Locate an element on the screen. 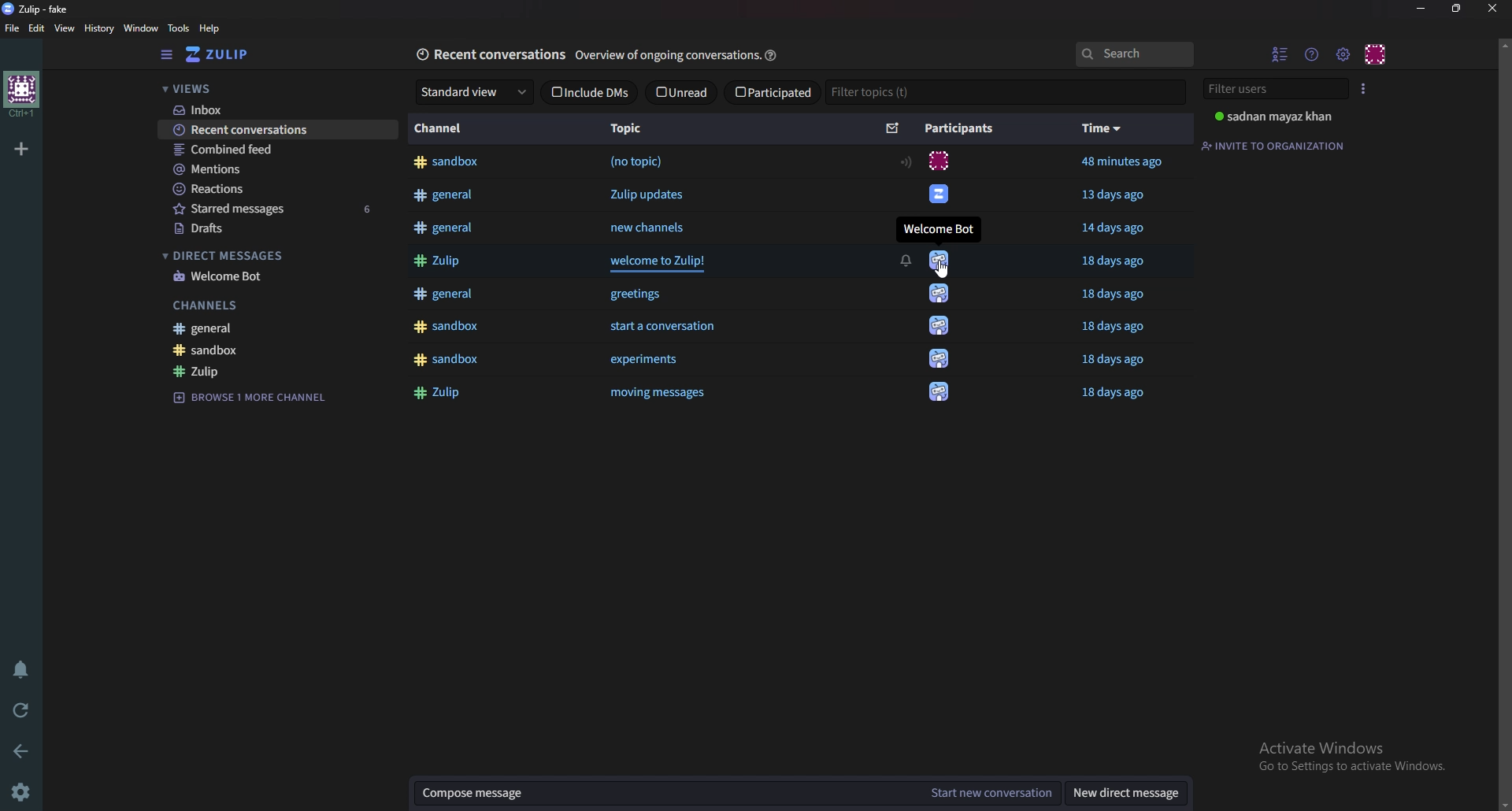 The image size is (1512, 811). Reload is located at coordinates (21, 710).